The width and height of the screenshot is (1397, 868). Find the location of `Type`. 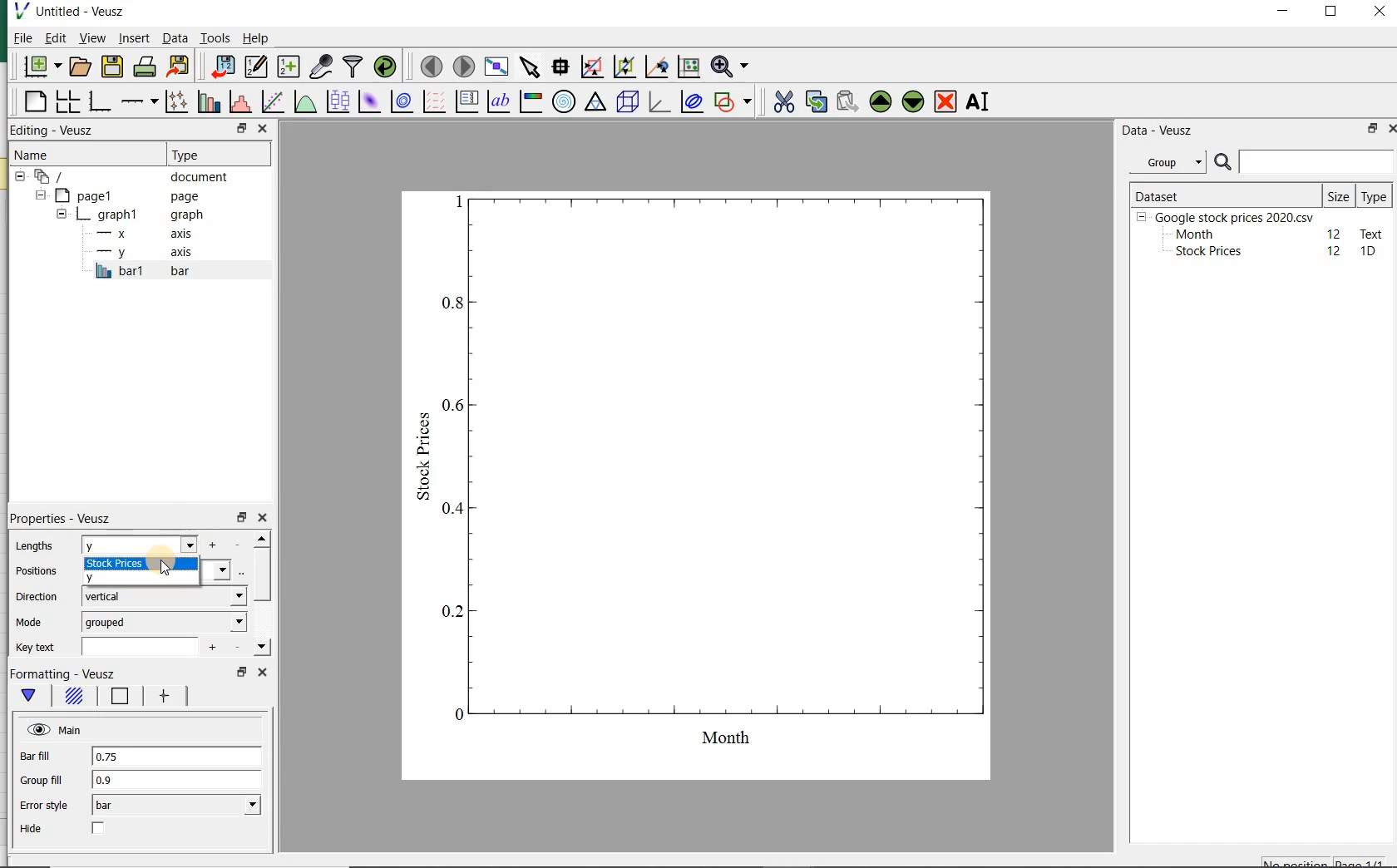

Type is located at coordinates (1374, 195).